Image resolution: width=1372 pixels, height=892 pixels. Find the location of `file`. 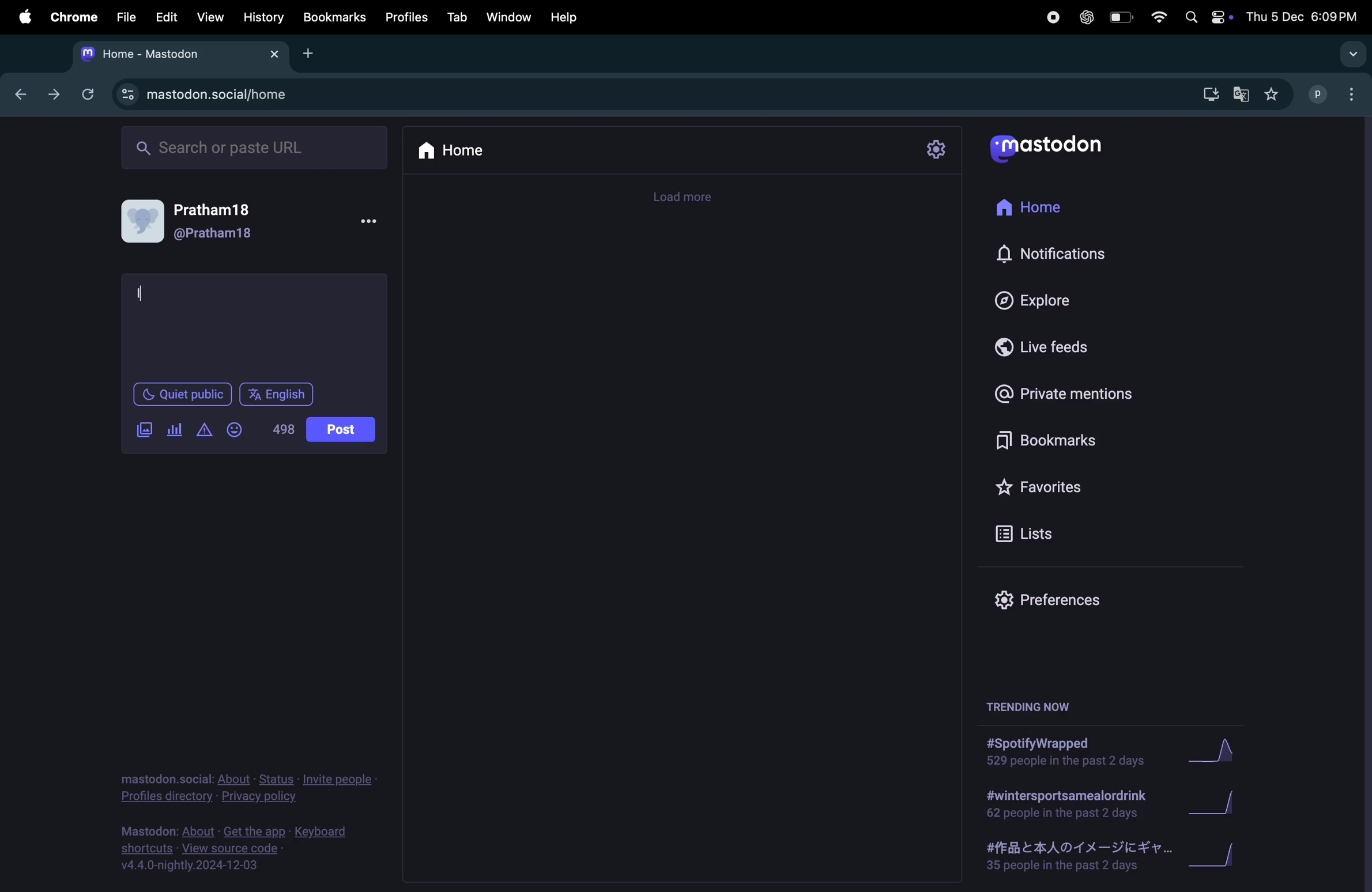

file is located at coordinates (126, 16).